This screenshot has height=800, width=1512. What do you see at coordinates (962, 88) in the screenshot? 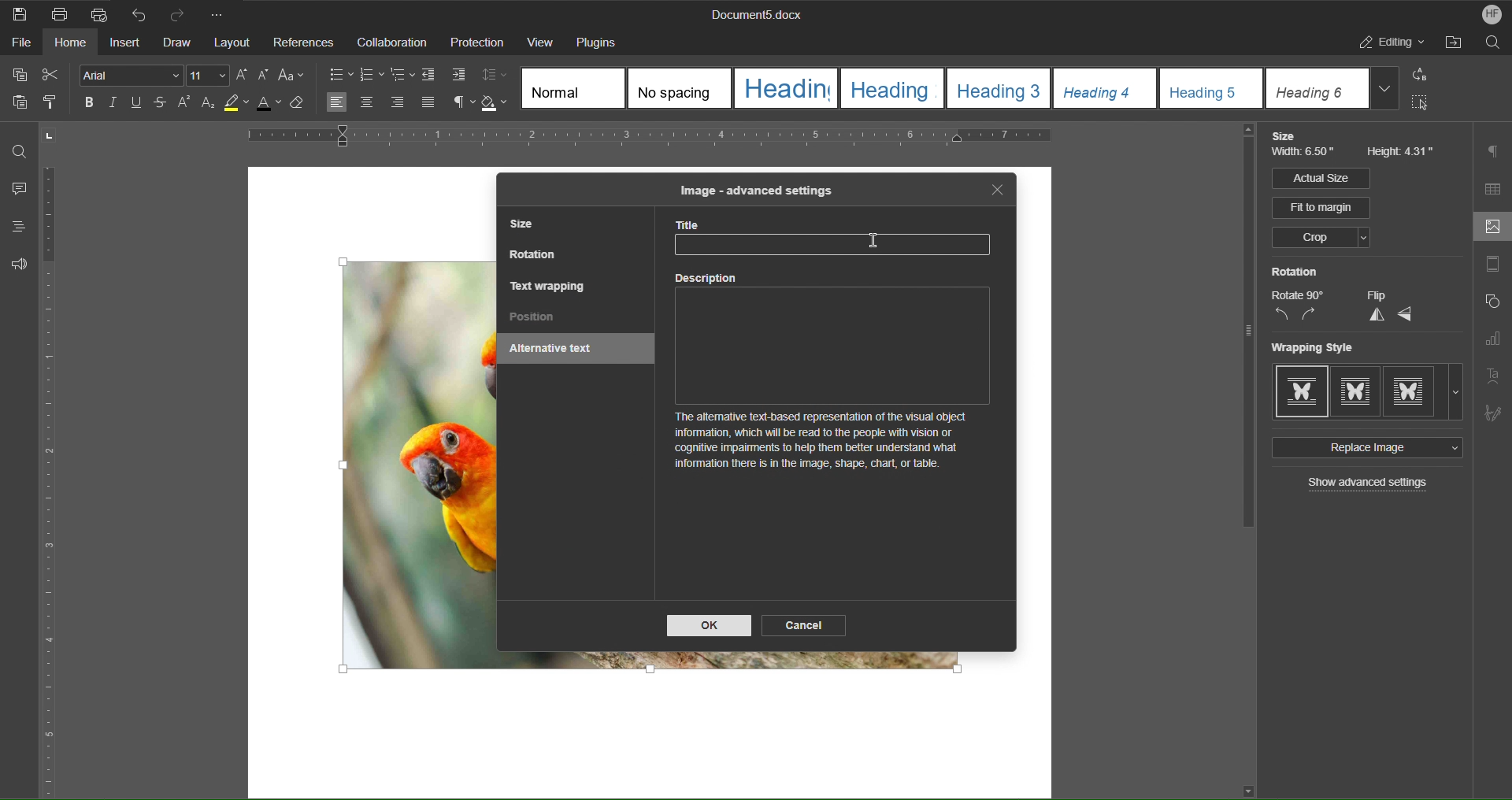
I see `Text Style` at bounding box center [962, 88].